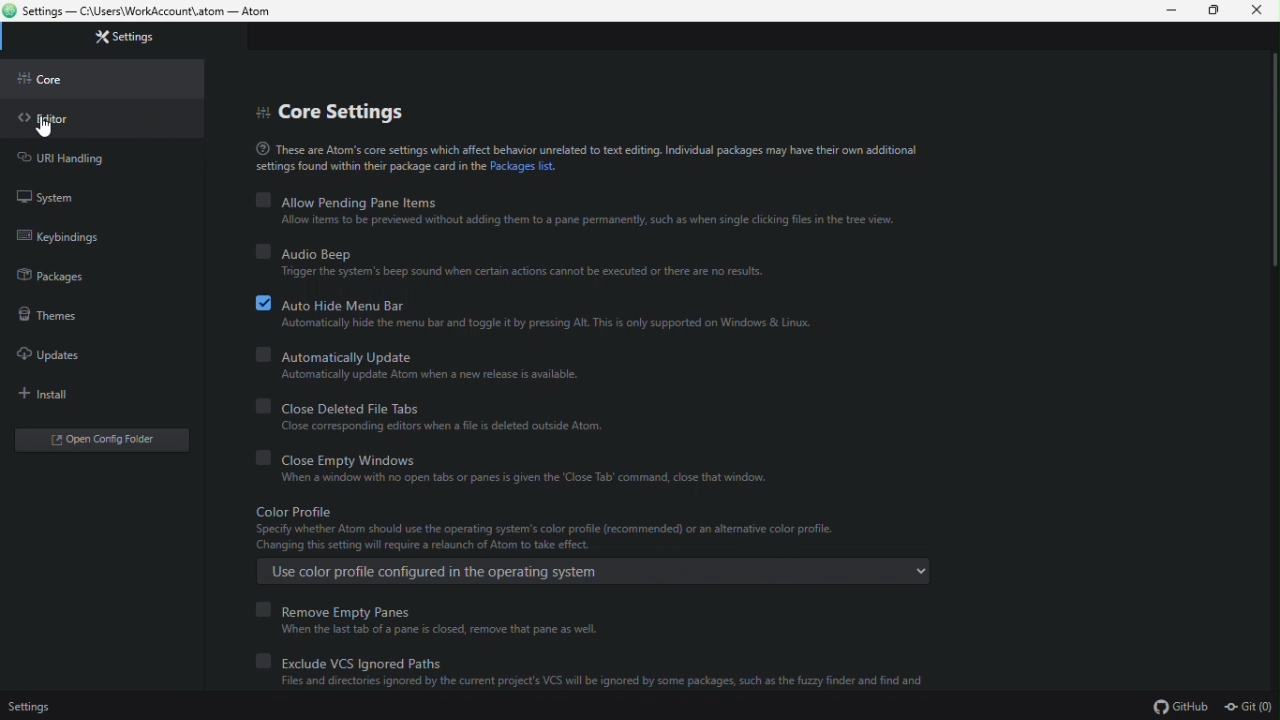  I want to click on system, so click(96, 199).